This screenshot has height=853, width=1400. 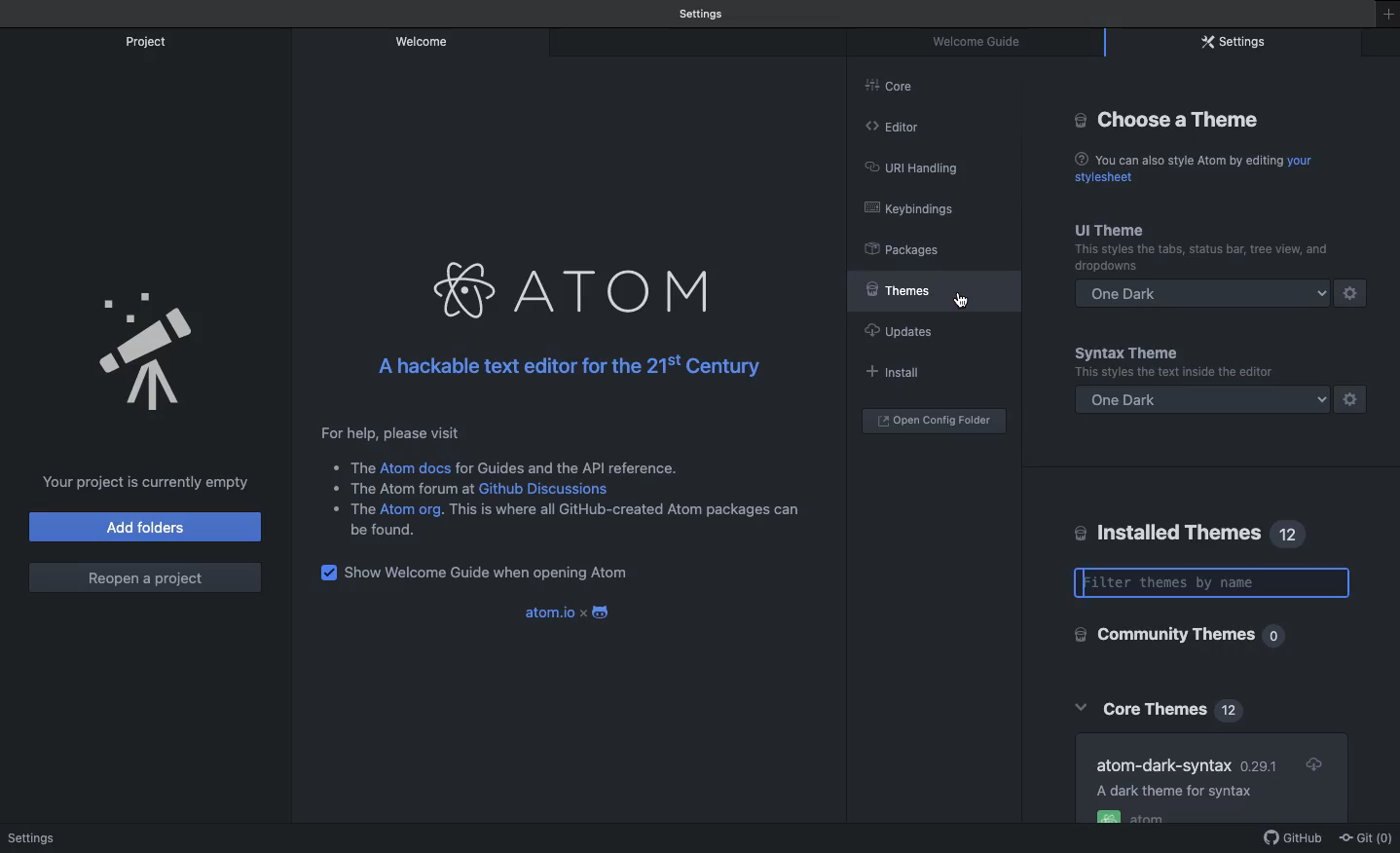 What do you see at coordinates (398, 487) in the screenshot?
I see `+ The Atom forum at` at bounding box center [398, 487].